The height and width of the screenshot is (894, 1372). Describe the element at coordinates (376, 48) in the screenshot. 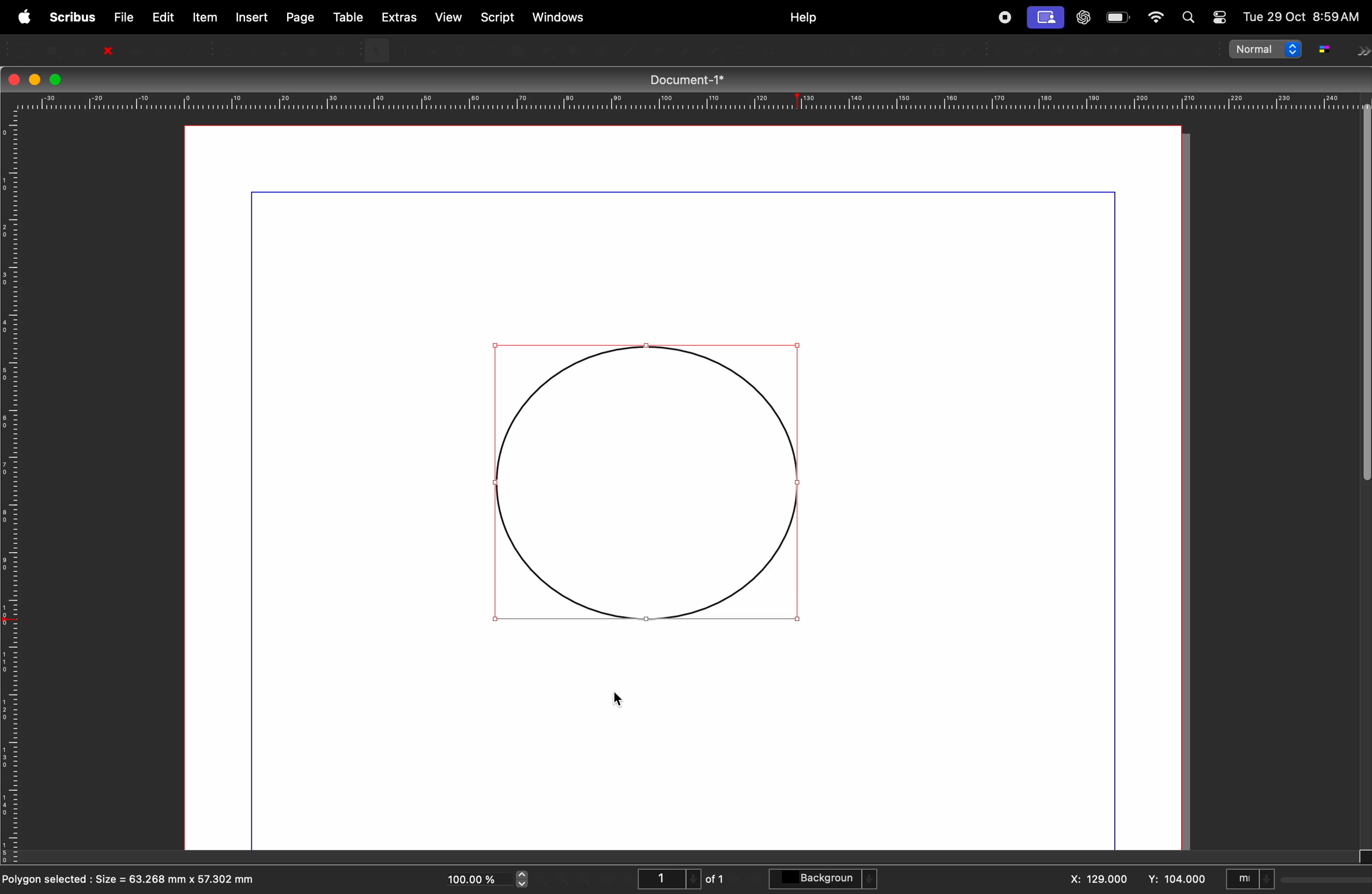

I see `select item` at that location.